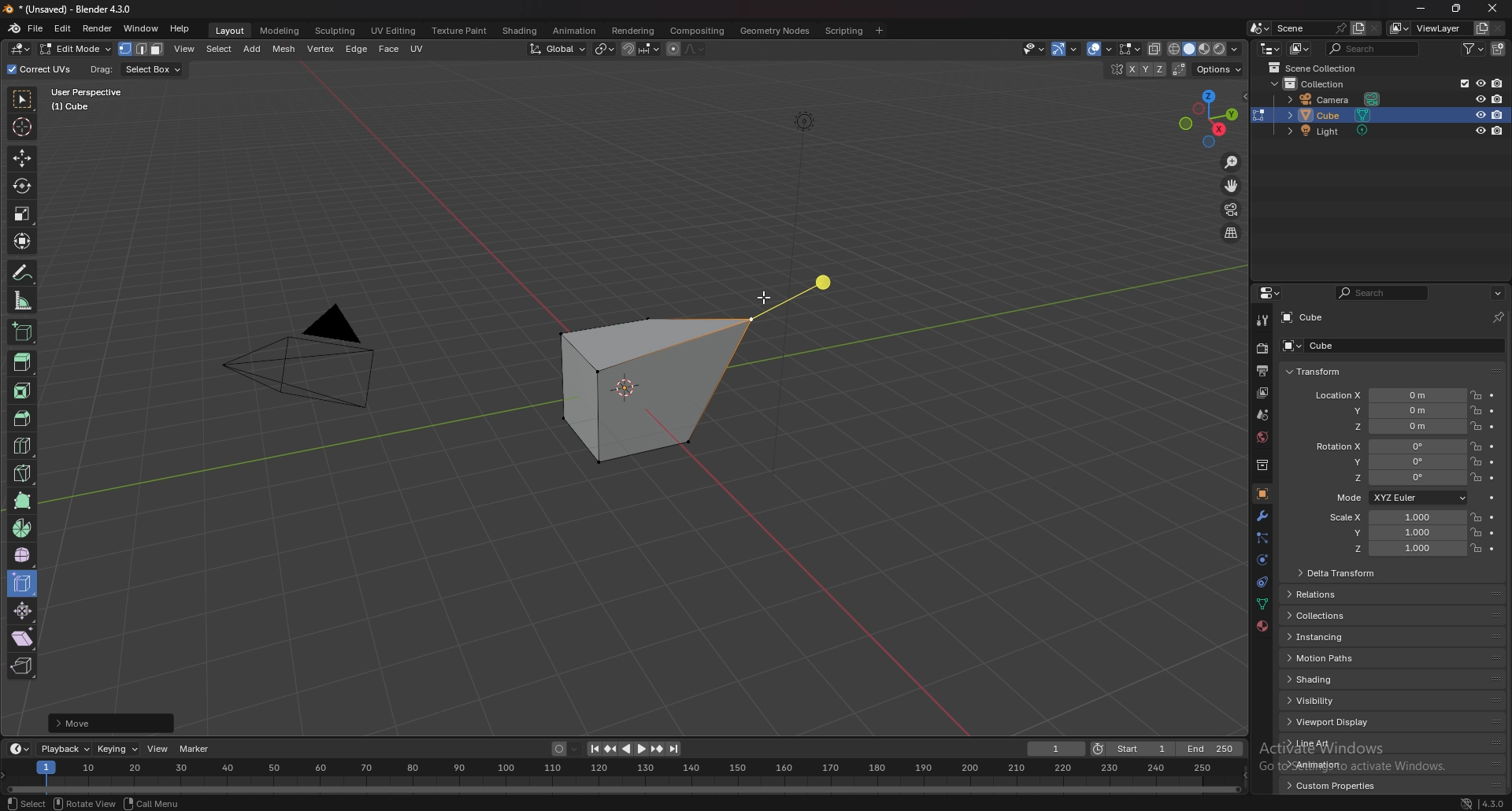 The width and height of the screenshot is (1512, 811). Describe the element at coordinates (1232, 163) in the screenshot. I see `zoom` at that location.